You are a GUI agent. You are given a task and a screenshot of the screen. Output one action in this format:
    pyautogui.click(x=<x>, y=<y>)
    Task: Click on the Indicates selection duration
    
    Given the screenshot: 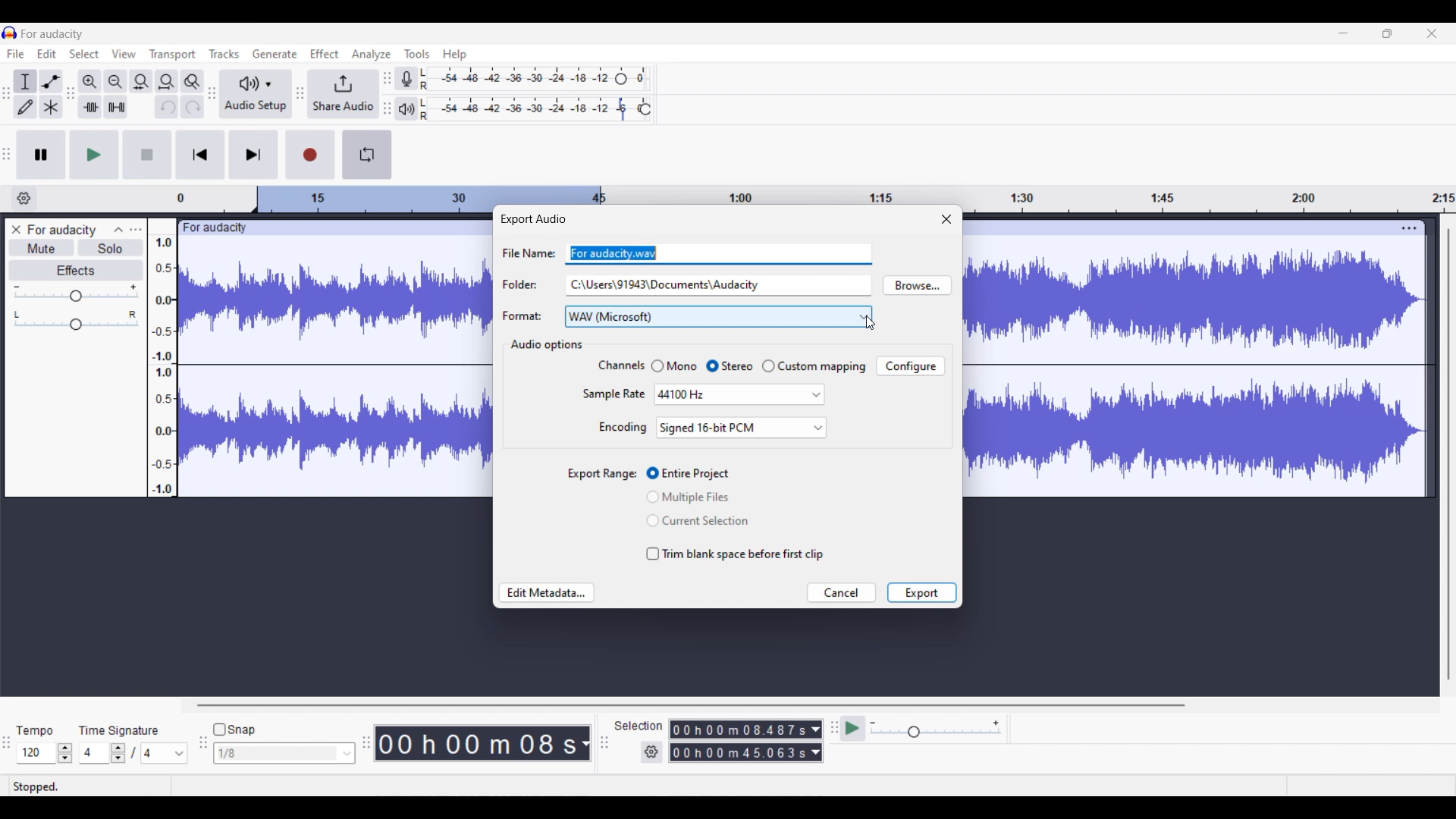 What is the action you would take?
    pyautogui.click(x=639, y=726)
    